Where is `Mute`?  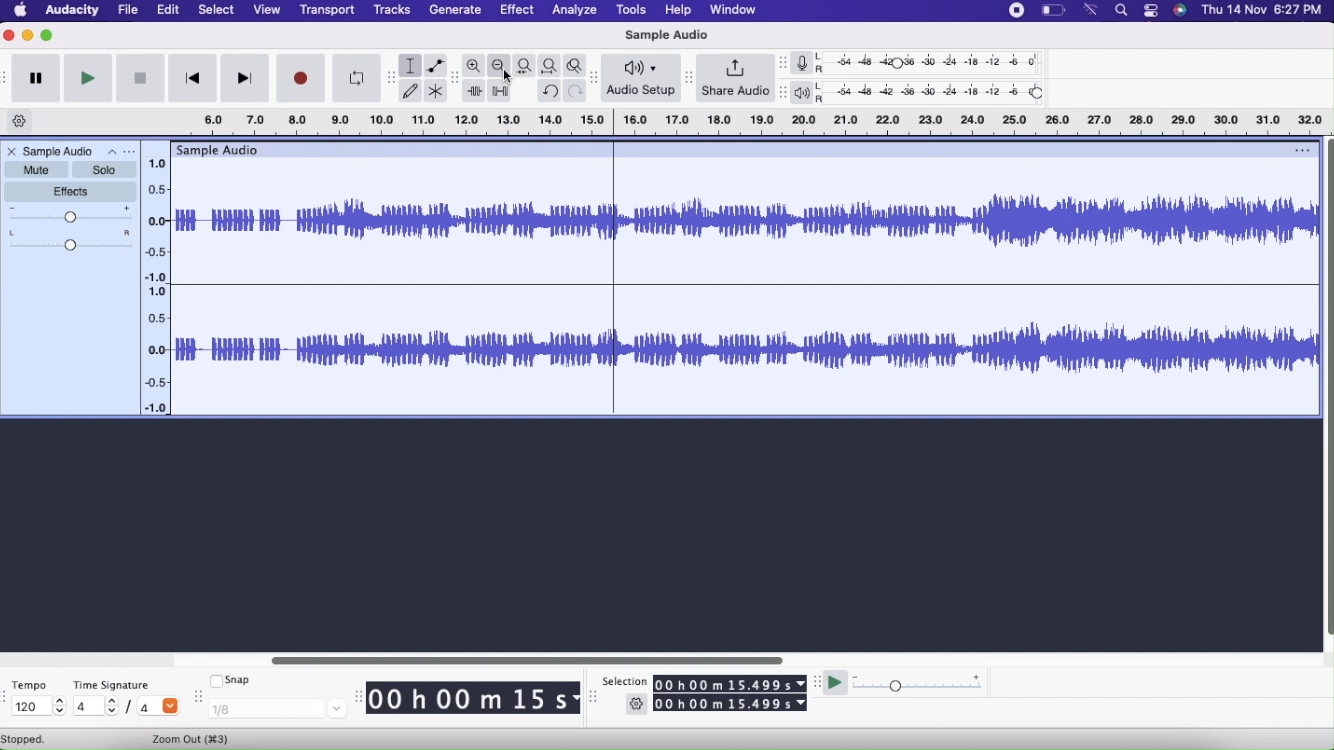 Mute is located at coordinates (36, 169).